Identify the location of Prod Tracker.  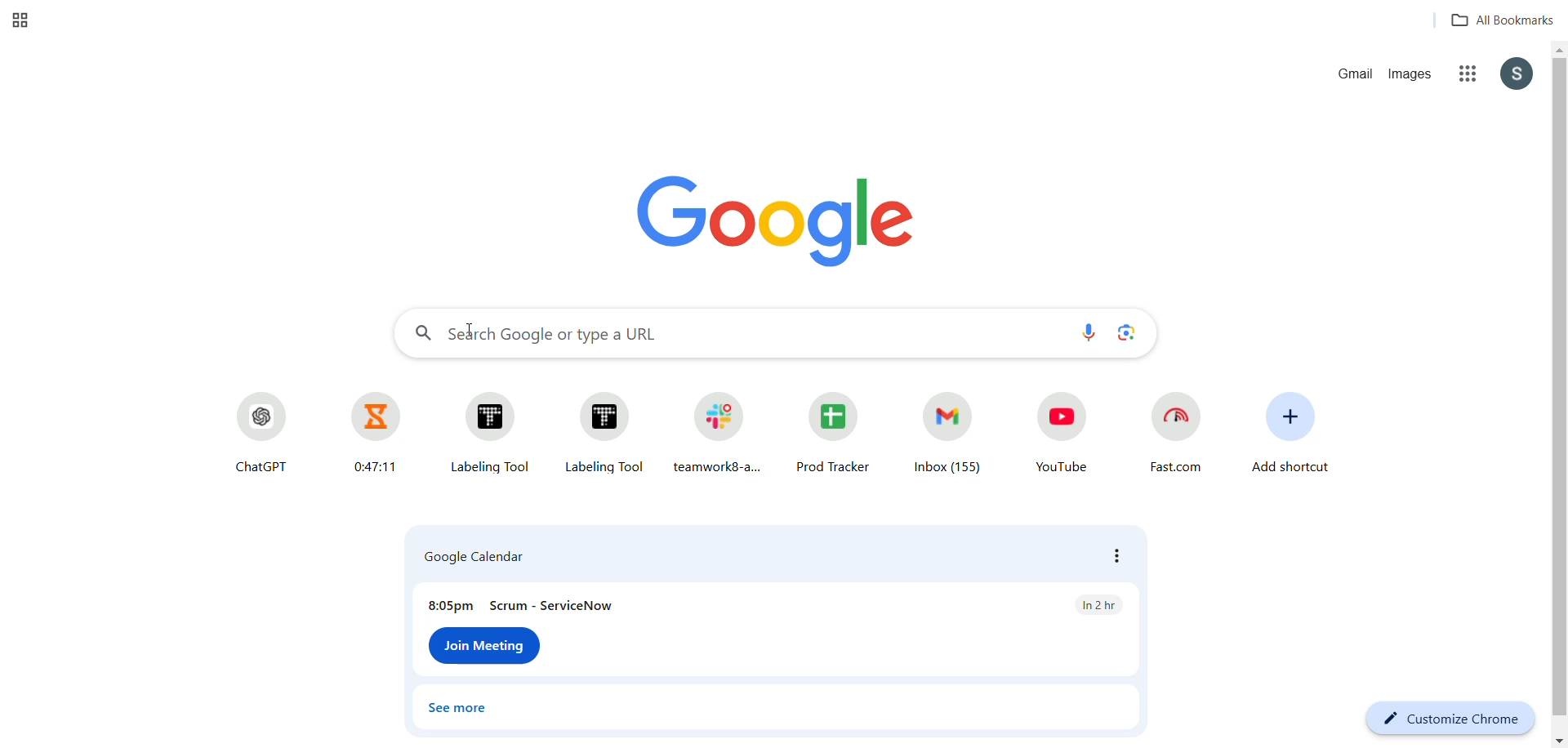
(835, 434).